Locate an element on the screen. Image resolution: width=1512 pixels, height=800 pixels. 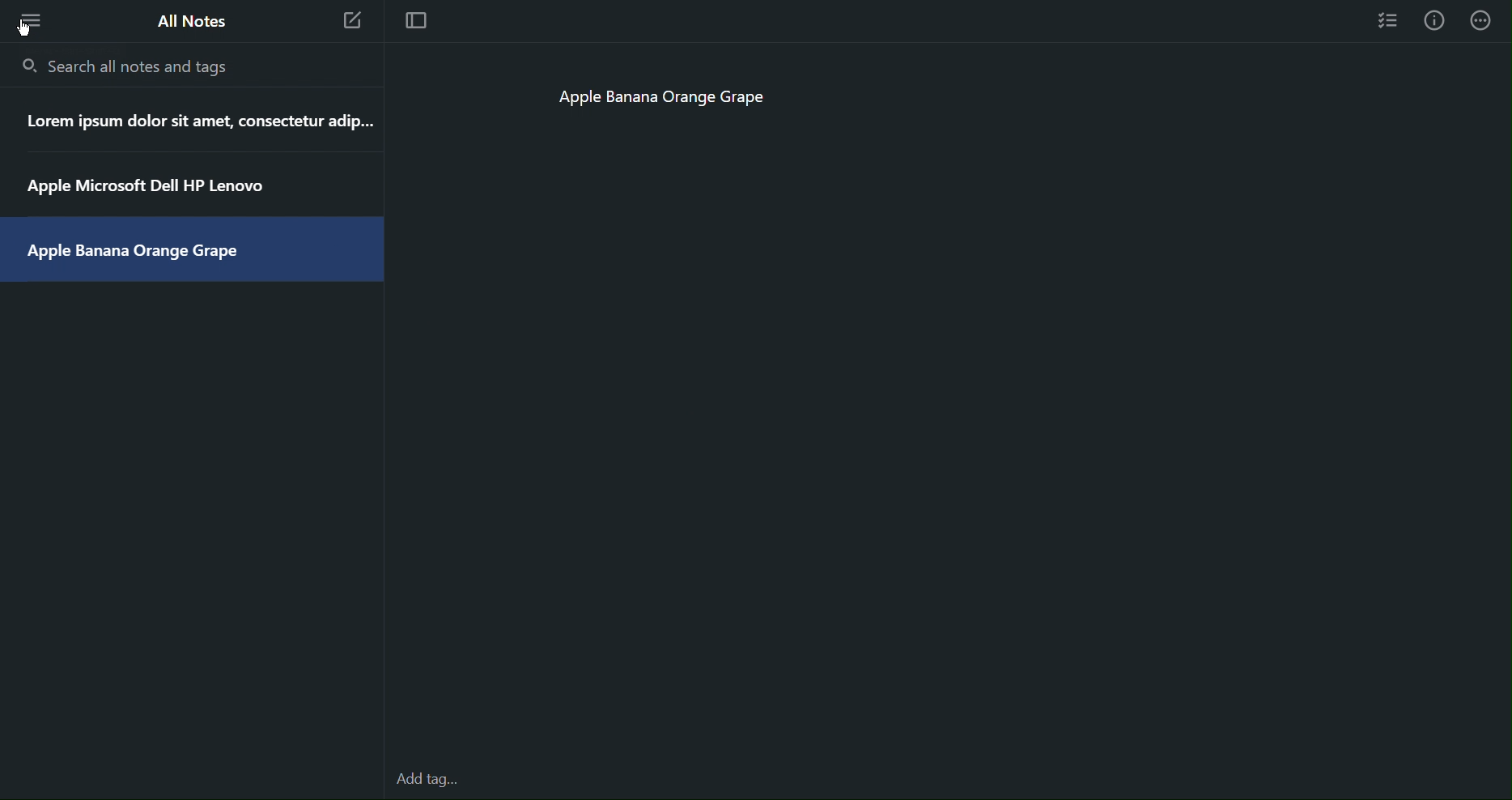
Apple Microsoft Dell HP Lenovo is located at coordinates (151, 187).